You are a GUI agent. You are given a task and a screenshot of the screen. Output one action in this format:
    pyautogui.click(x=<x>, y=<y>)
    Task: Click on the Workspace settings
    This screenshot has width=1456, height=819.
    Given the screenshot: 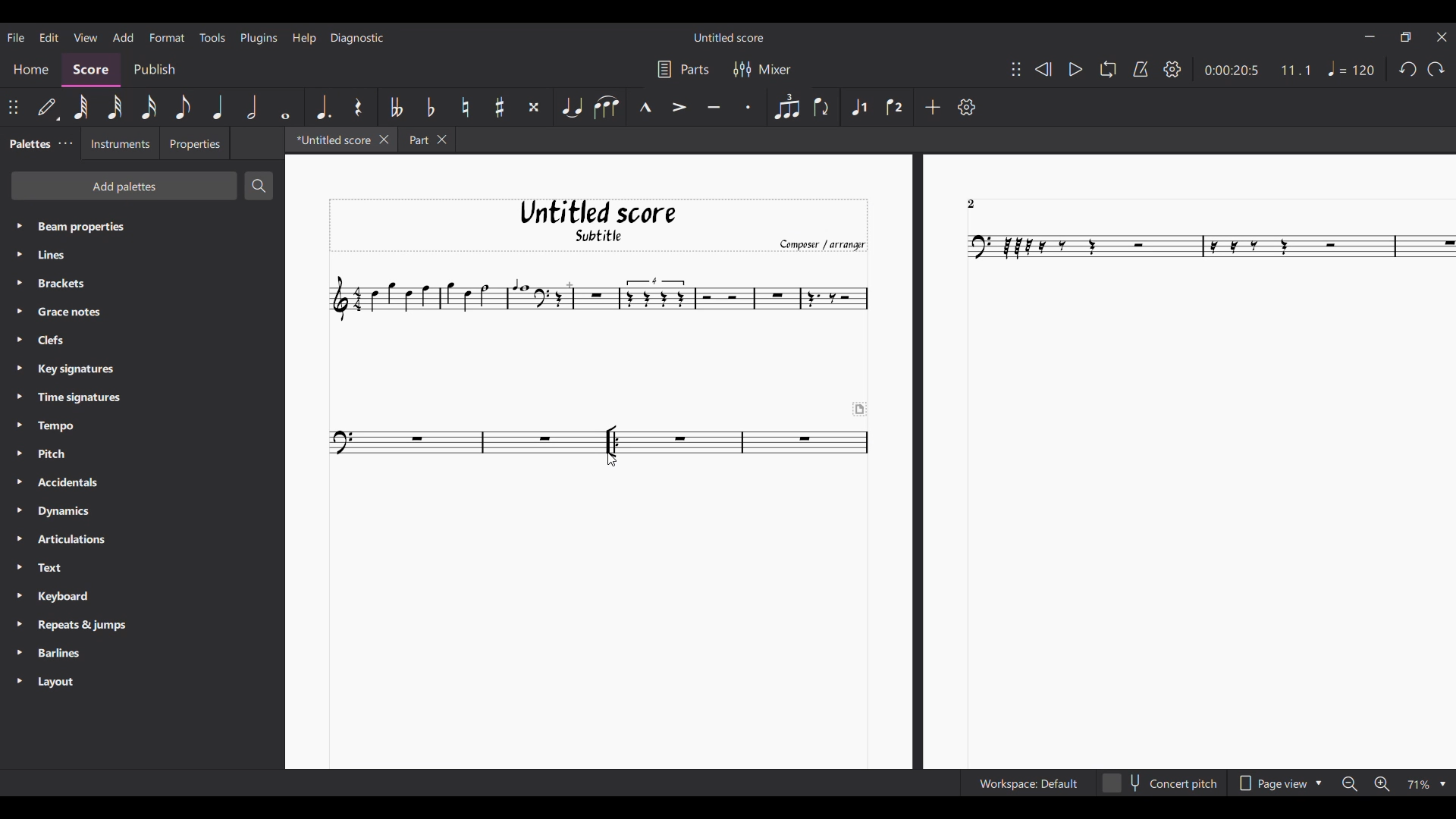 What is the action you would take?
    pyautogui.click(x=1028, y=783)
    